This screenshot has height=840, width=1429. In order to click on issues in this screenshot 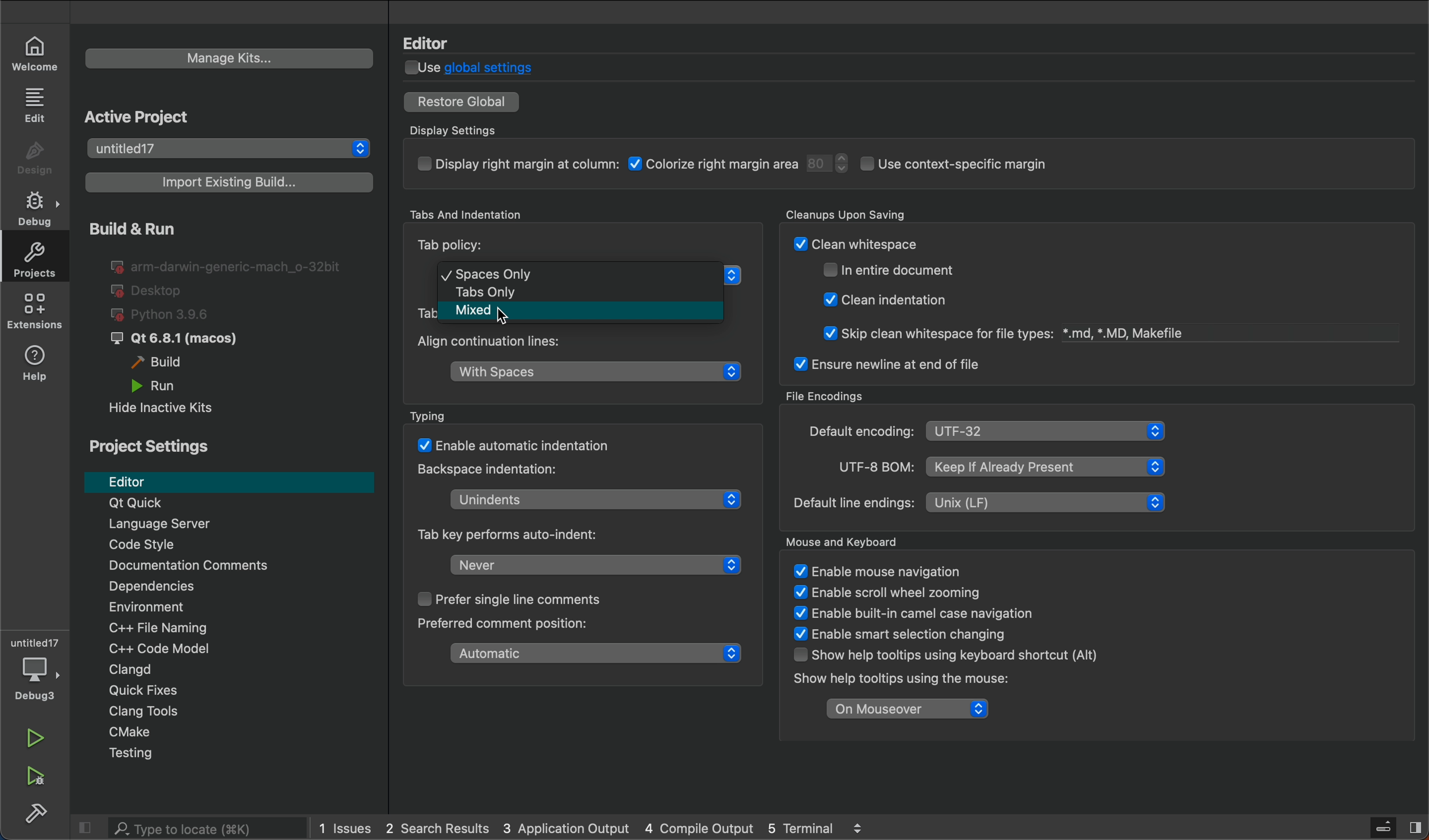, I will do `click(344, 829)`.